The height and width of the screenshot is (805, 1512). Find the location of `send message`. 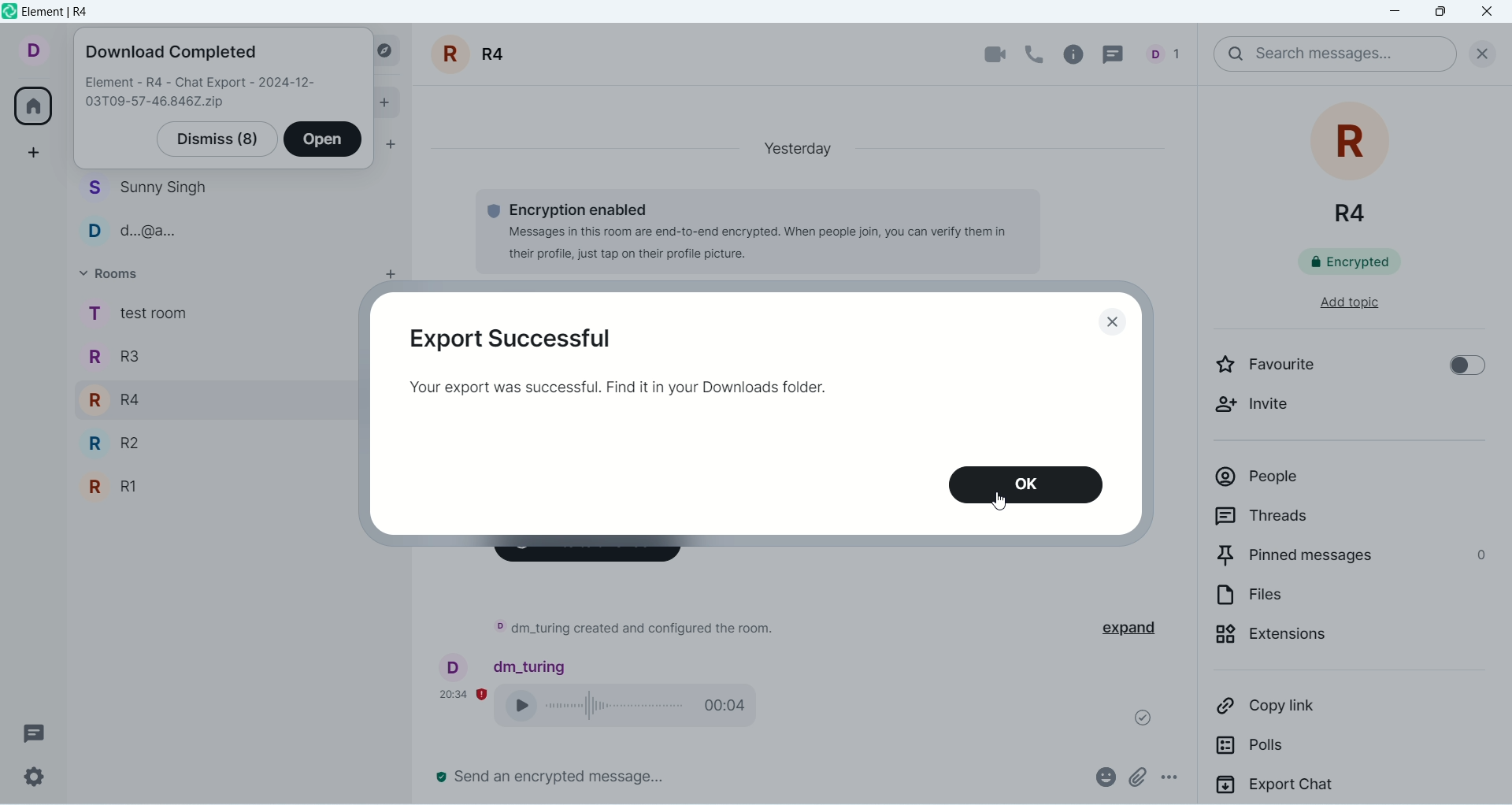

send message is located at coordinates (552, 777).